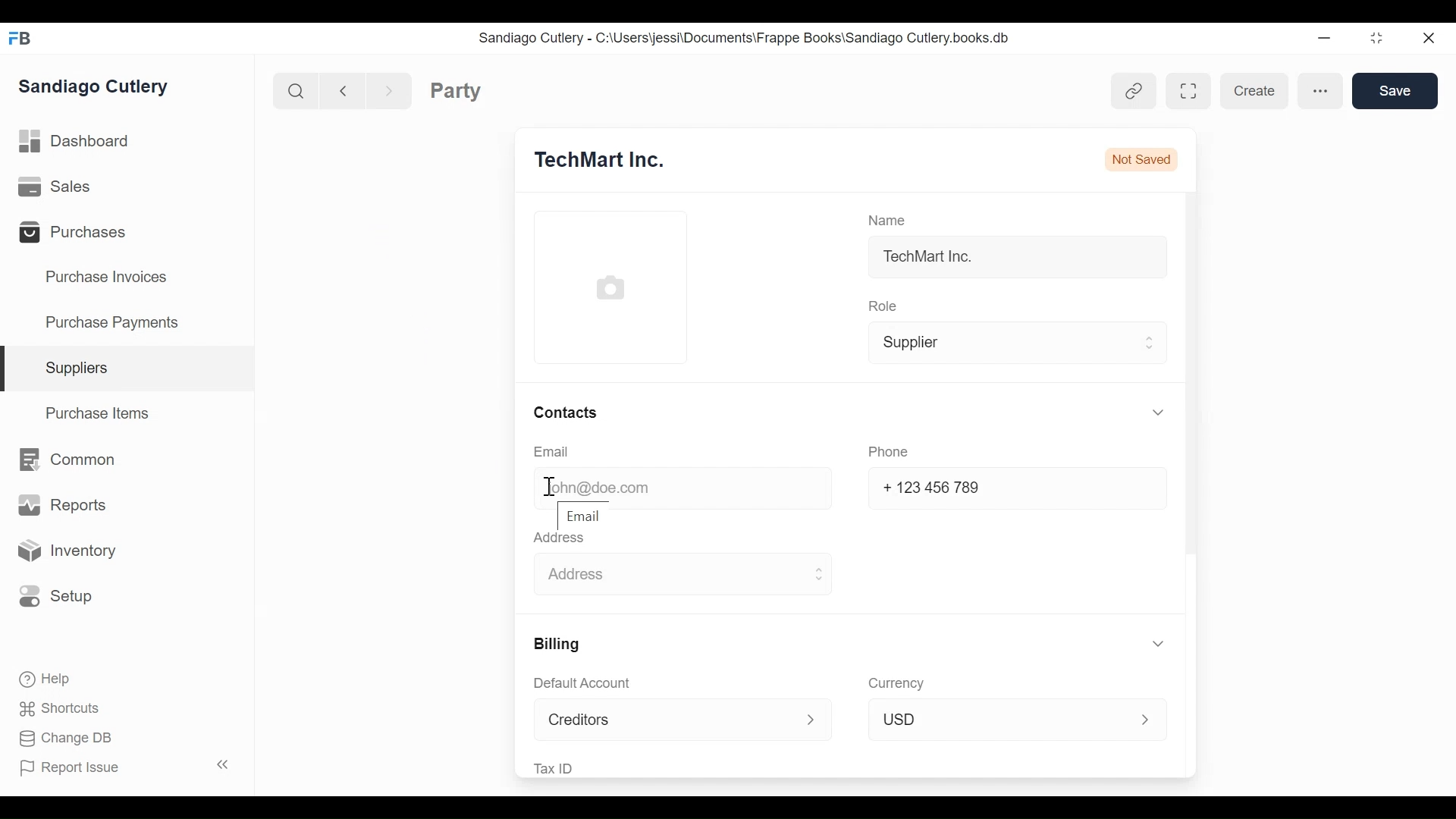  Describe the element at coordinates (1134, 91) in the screenshot. I see `link` at that location.